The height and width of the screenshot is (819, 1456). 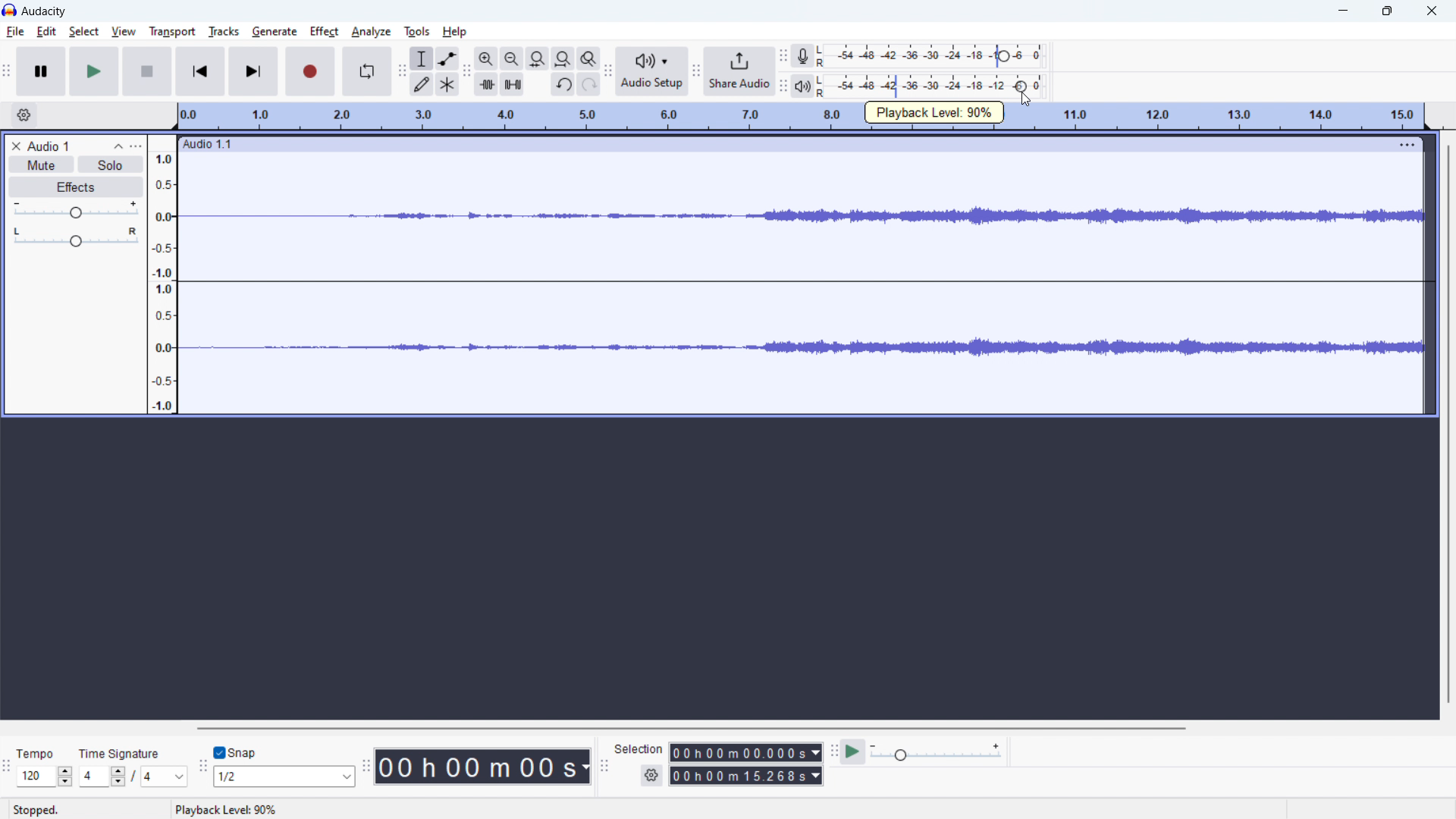 What do you see at coordinates (225, 809) in the screenshot?
I see `status` at bounding box center [225, 809].